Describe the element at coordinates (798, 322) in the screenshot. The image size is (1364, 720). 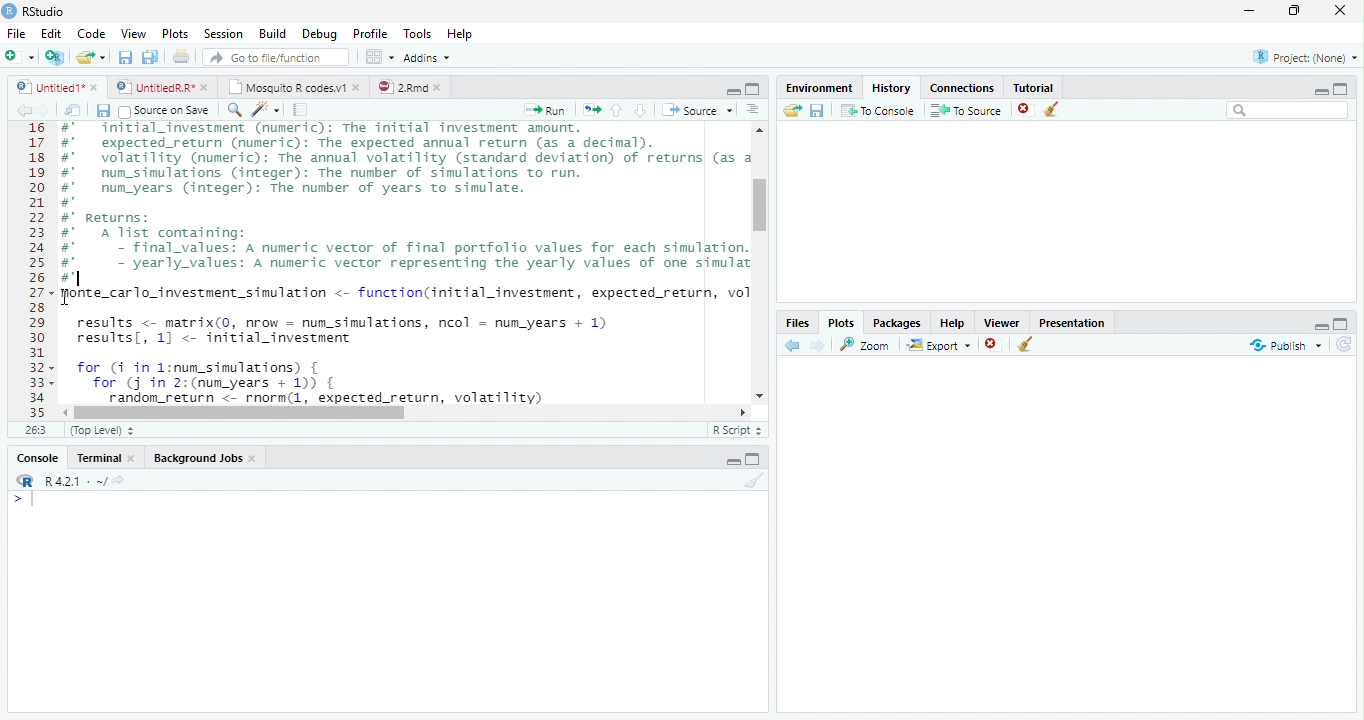
I see `Files` at that location.